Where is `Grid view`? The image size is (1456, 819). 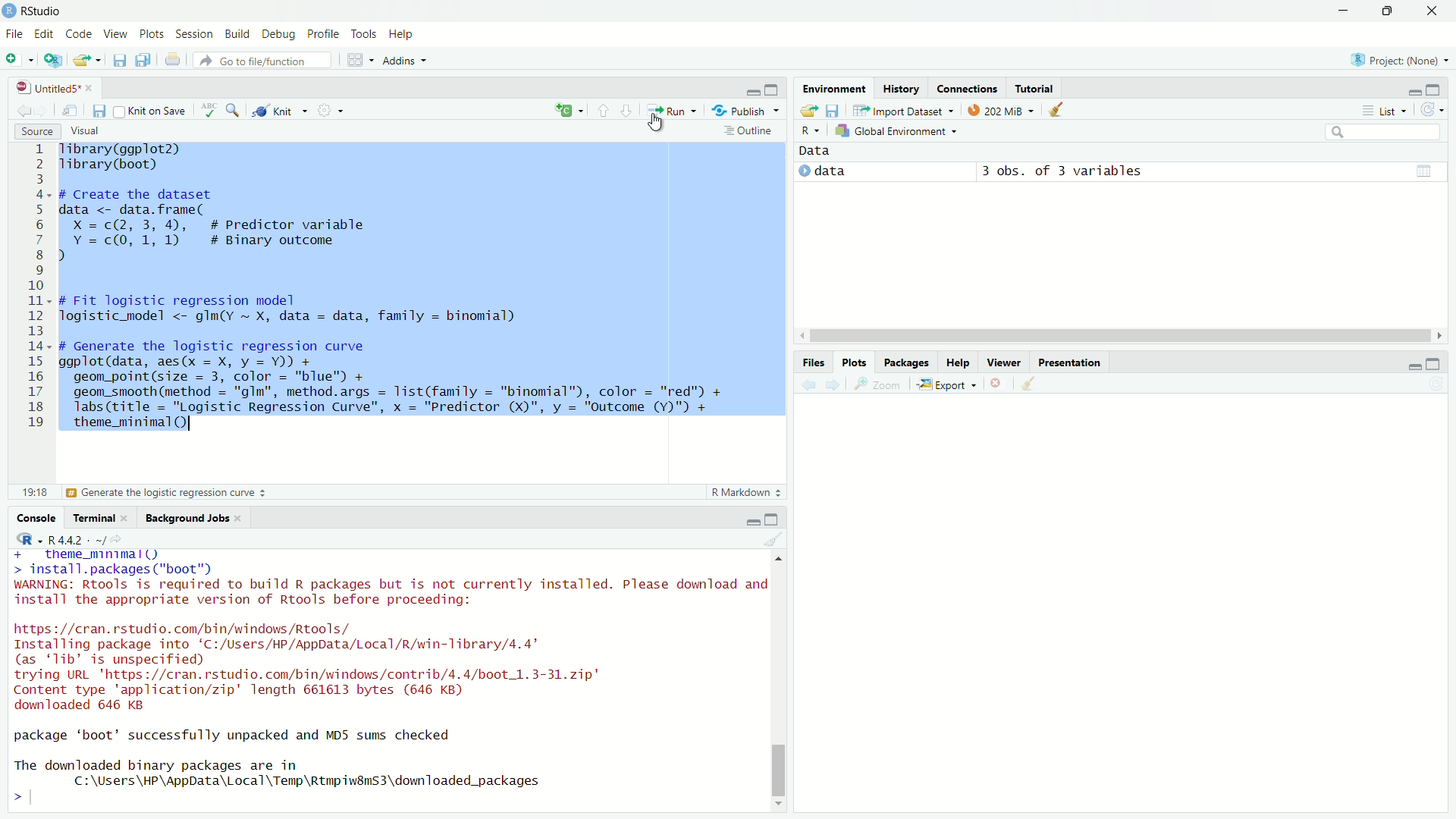 Grid view is located at coordinates (1424, 171).